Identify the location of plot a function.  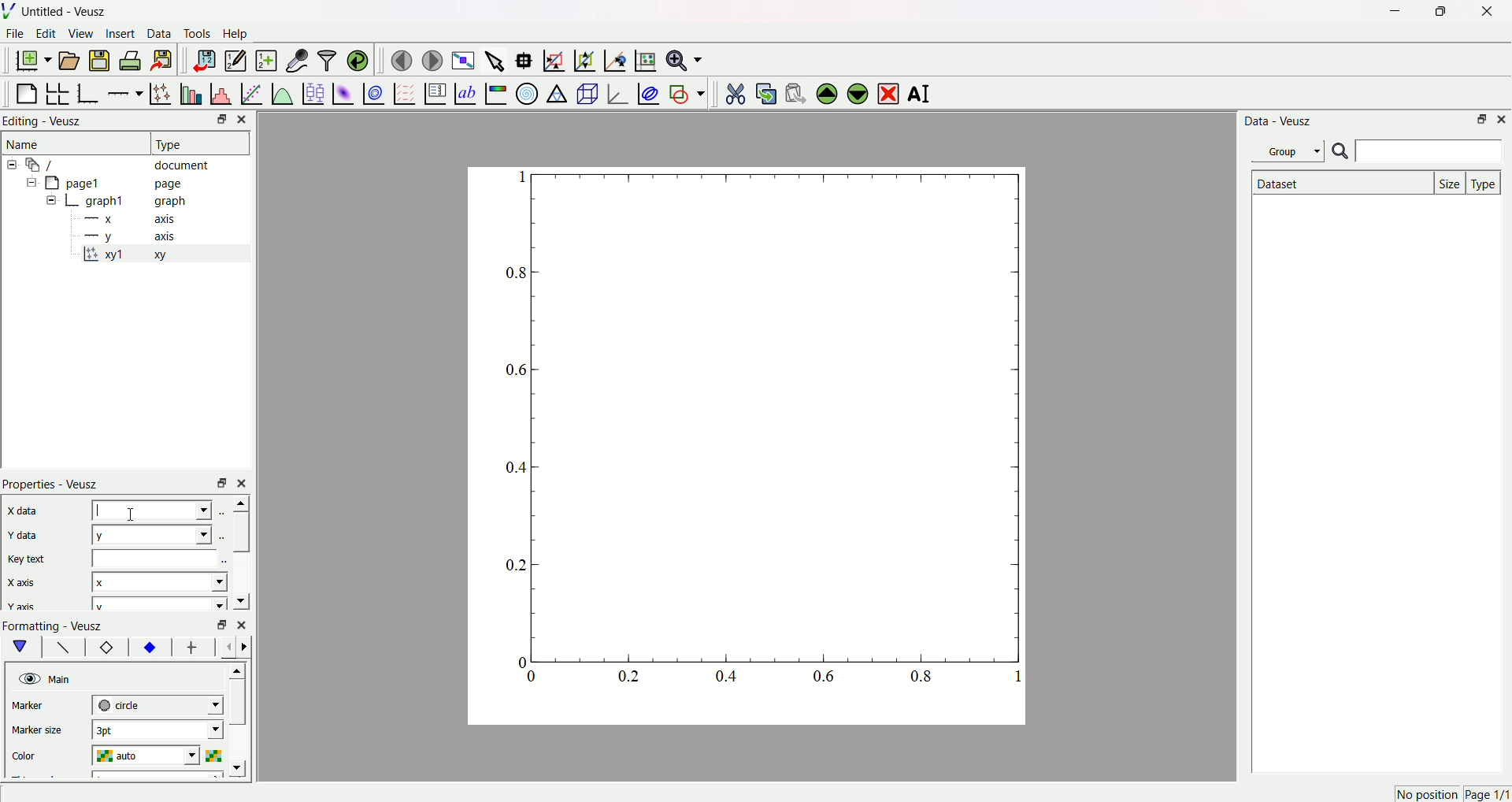
(281, 93).